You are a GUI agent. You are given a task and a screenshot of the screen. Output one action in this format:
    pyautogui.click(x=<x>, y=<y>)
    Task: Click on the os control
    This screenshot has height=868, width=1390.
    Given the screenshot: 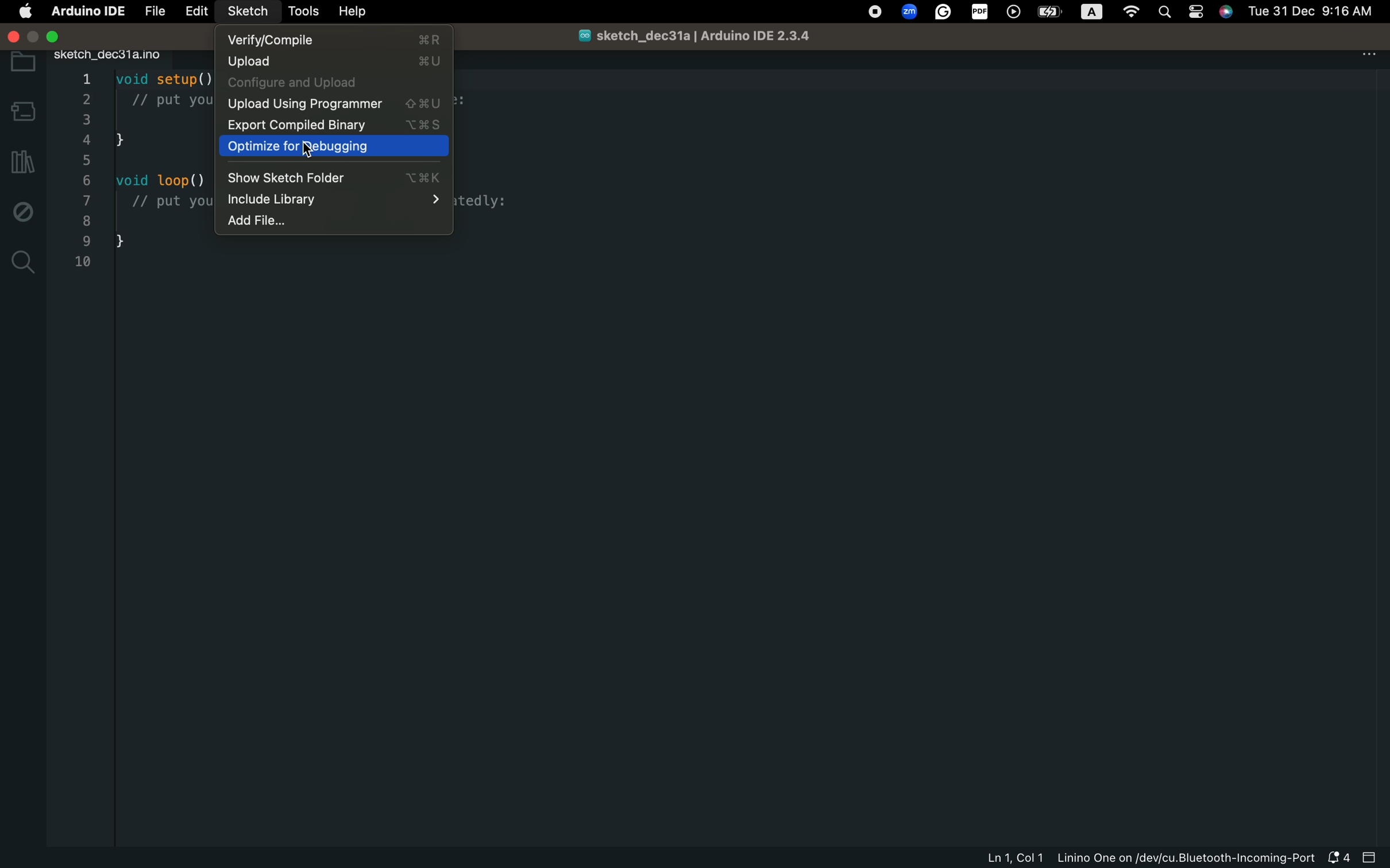 What is the action you would take?
    pyautogui.click(x=1122, y=12)
    